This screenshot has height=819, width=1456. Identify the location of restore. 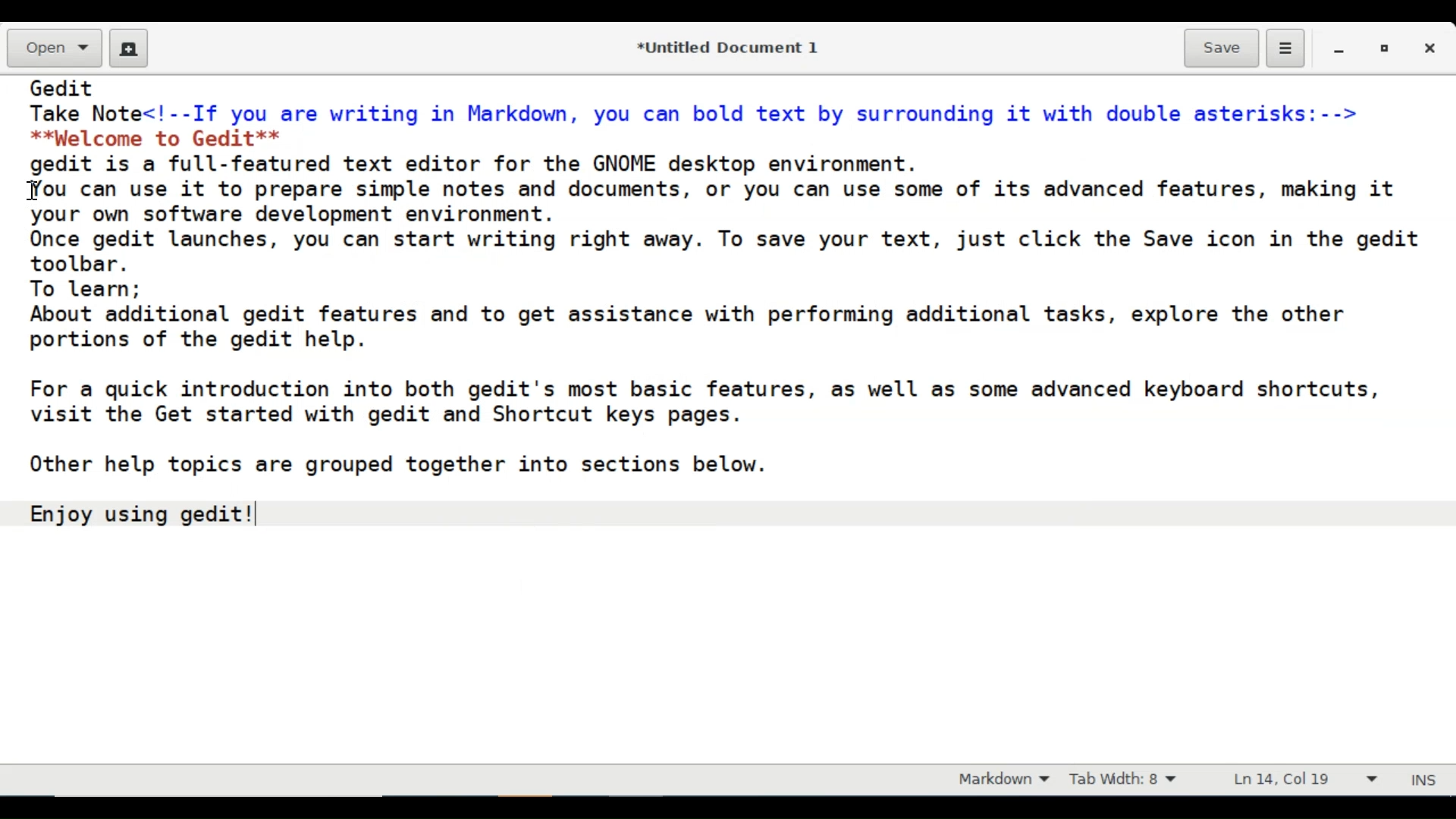
(1382, 48).